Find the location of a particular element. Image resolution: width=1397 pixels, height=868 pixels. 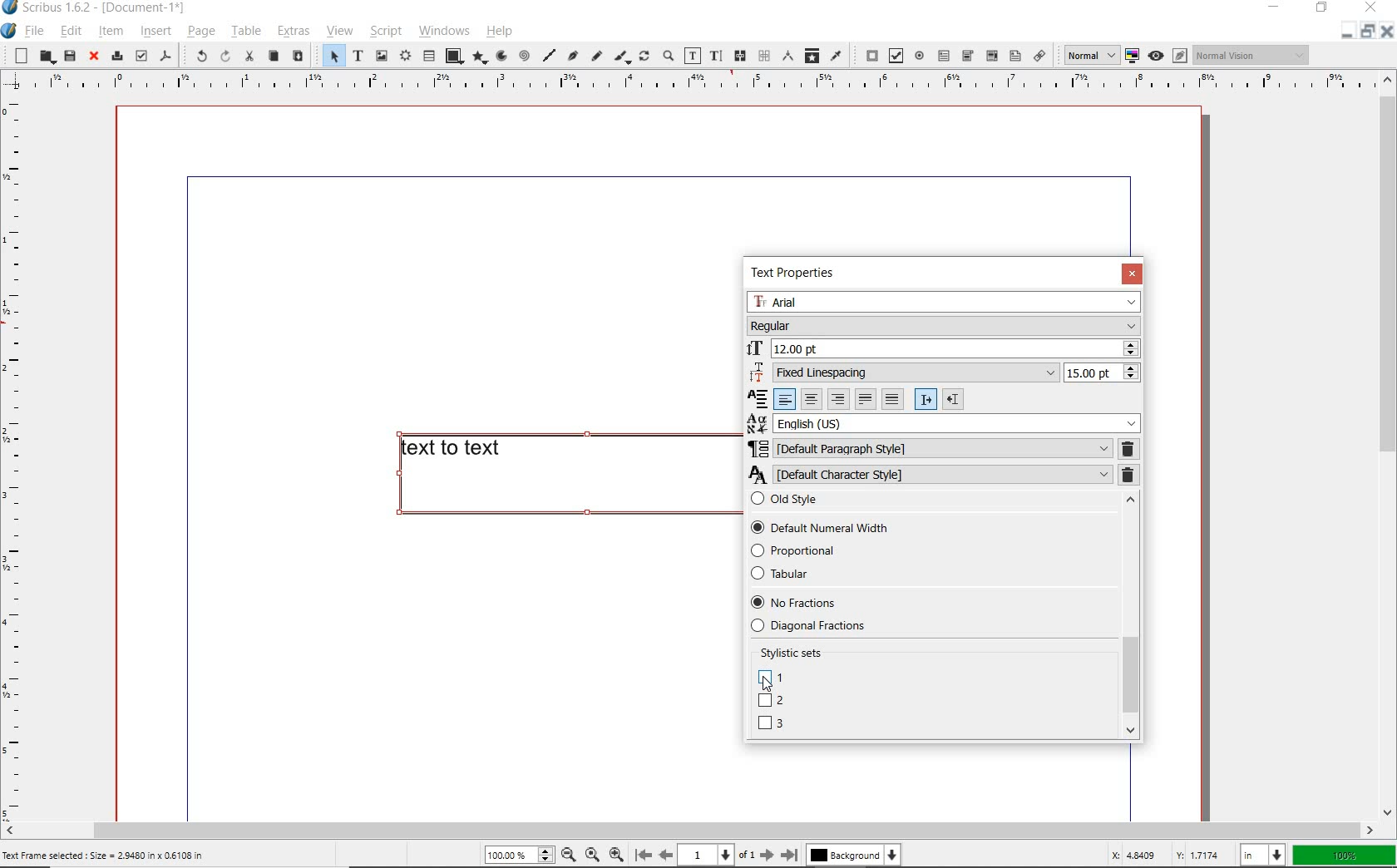

Scribus 1.6.2 - [Document-1*] is located at coordinates (99, 10).